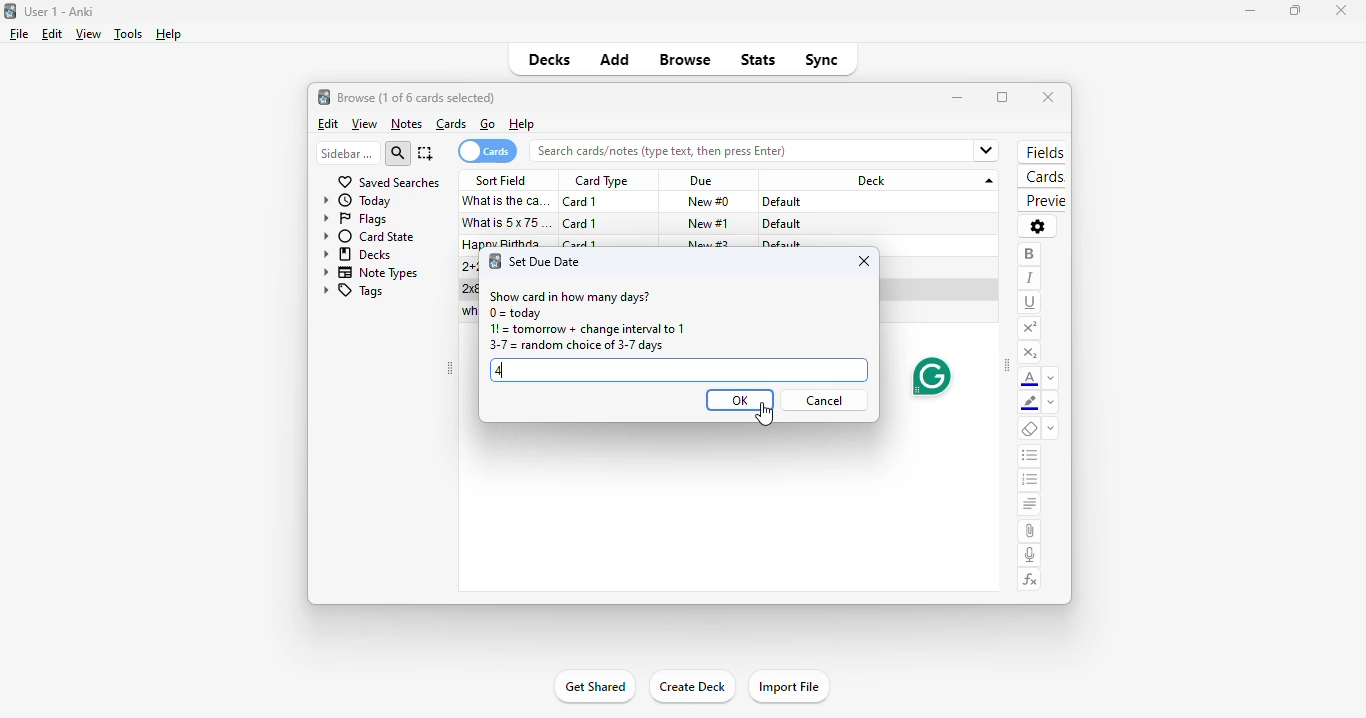 The height and width of the screenshot is (718, 1366). What do you see at coordinates (369, 236) in the screenshot?
I see `card state` at bounding box center [369, 236].